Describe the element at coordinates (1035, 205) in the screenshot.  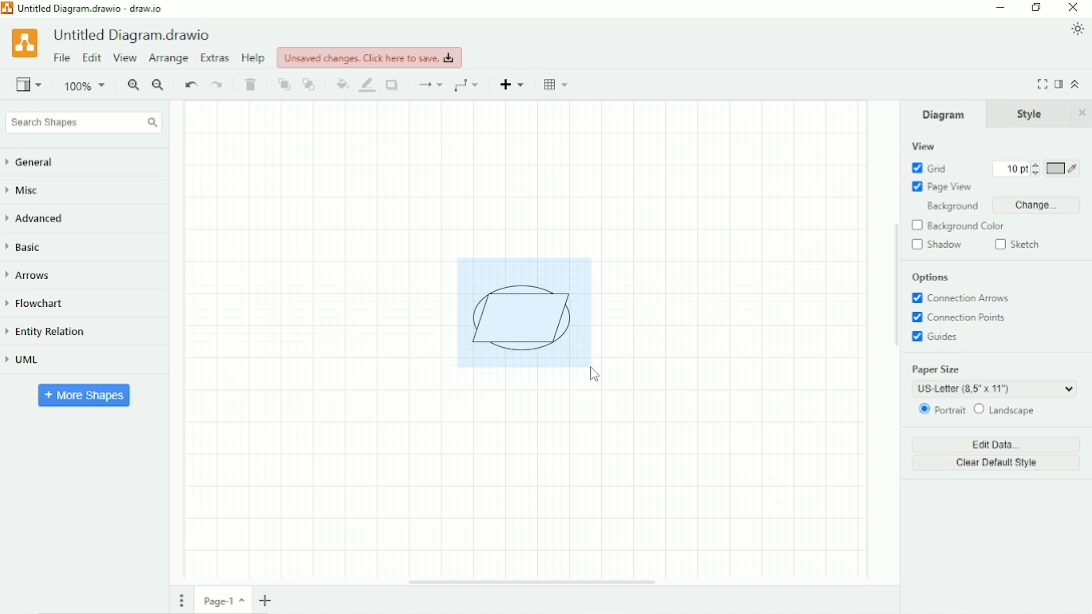
I see `Change` at that location.